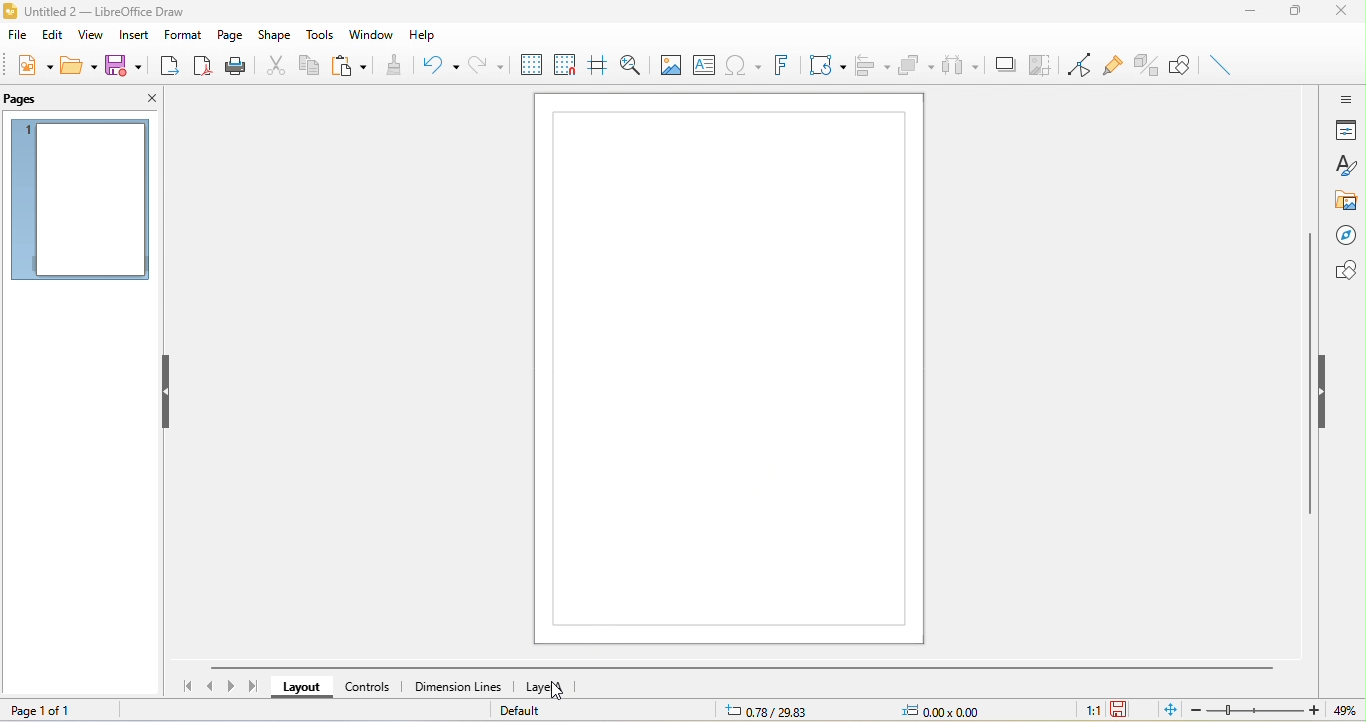 This screenshot has width=1366, height=722. What do you see at coordinates (29, 100) in the screenshot?
I see `pages` at bounding box center [29, 100].